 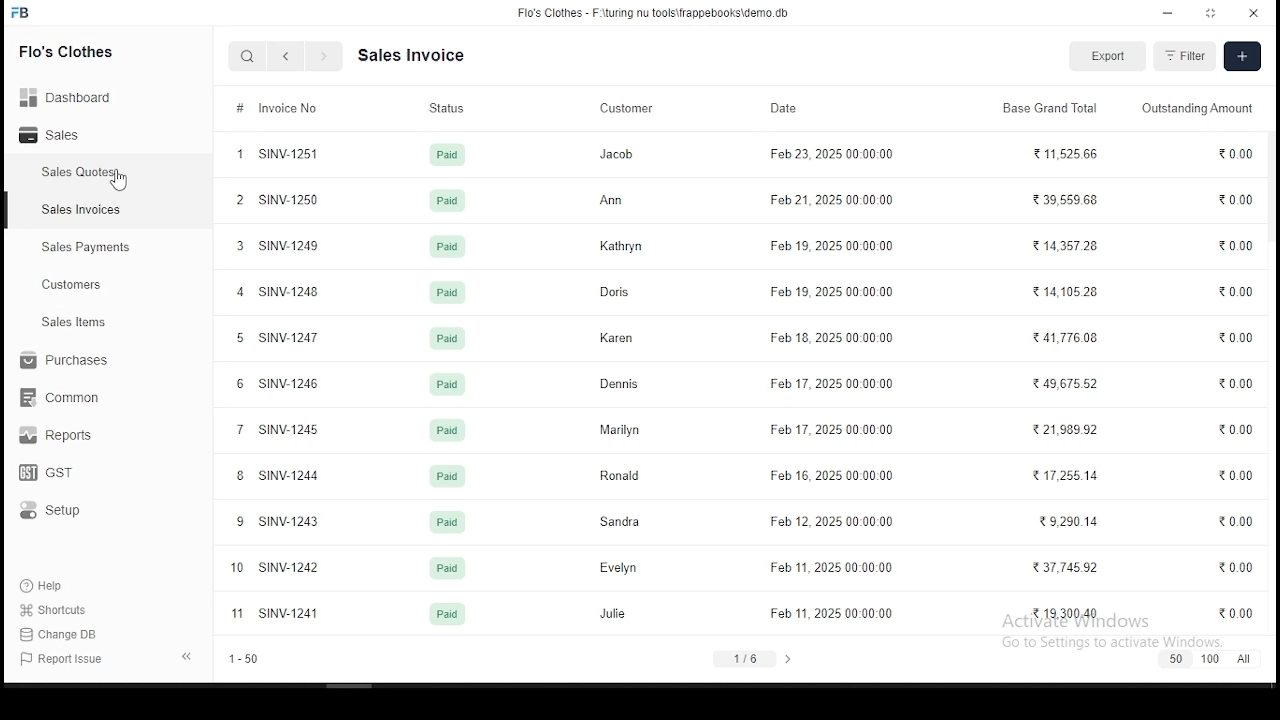 I want to click on 9 SINV-1243, so click(x=276, y=521).